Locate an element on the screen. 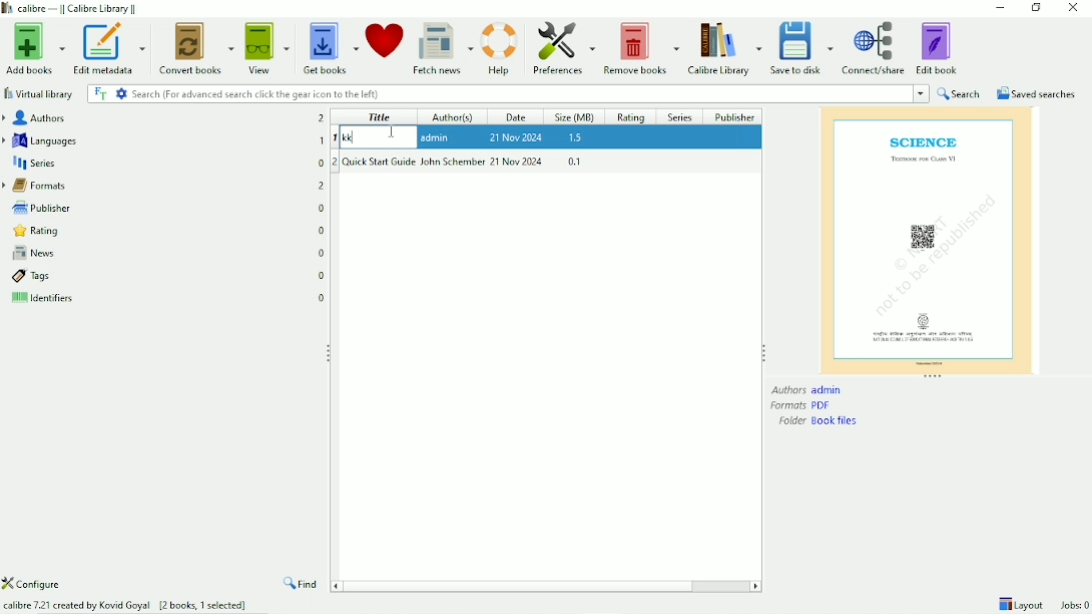  Authors is located at coordinates (808, 390).